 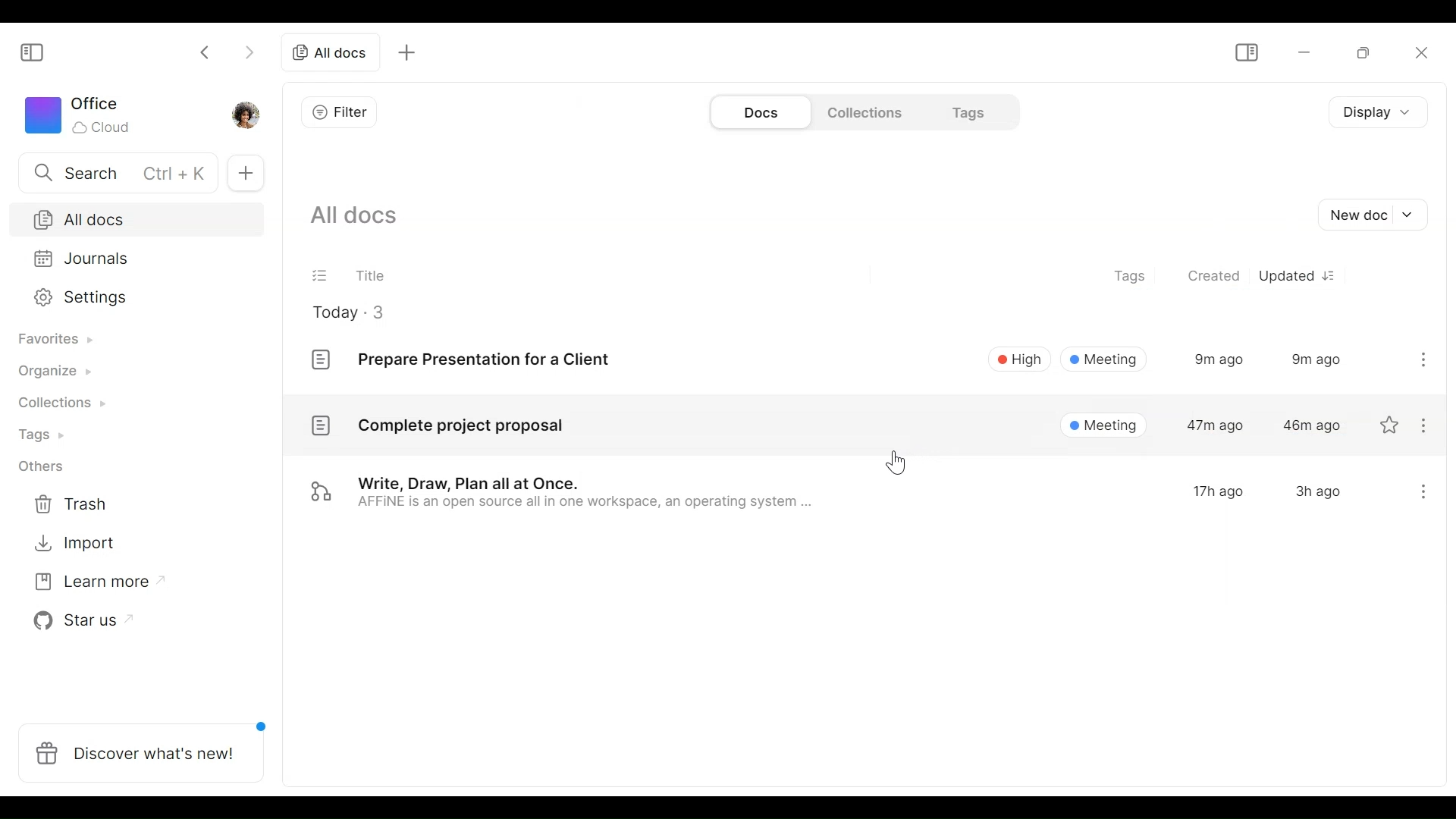 I want to click on Today - 3, so click(x=349, y=314).